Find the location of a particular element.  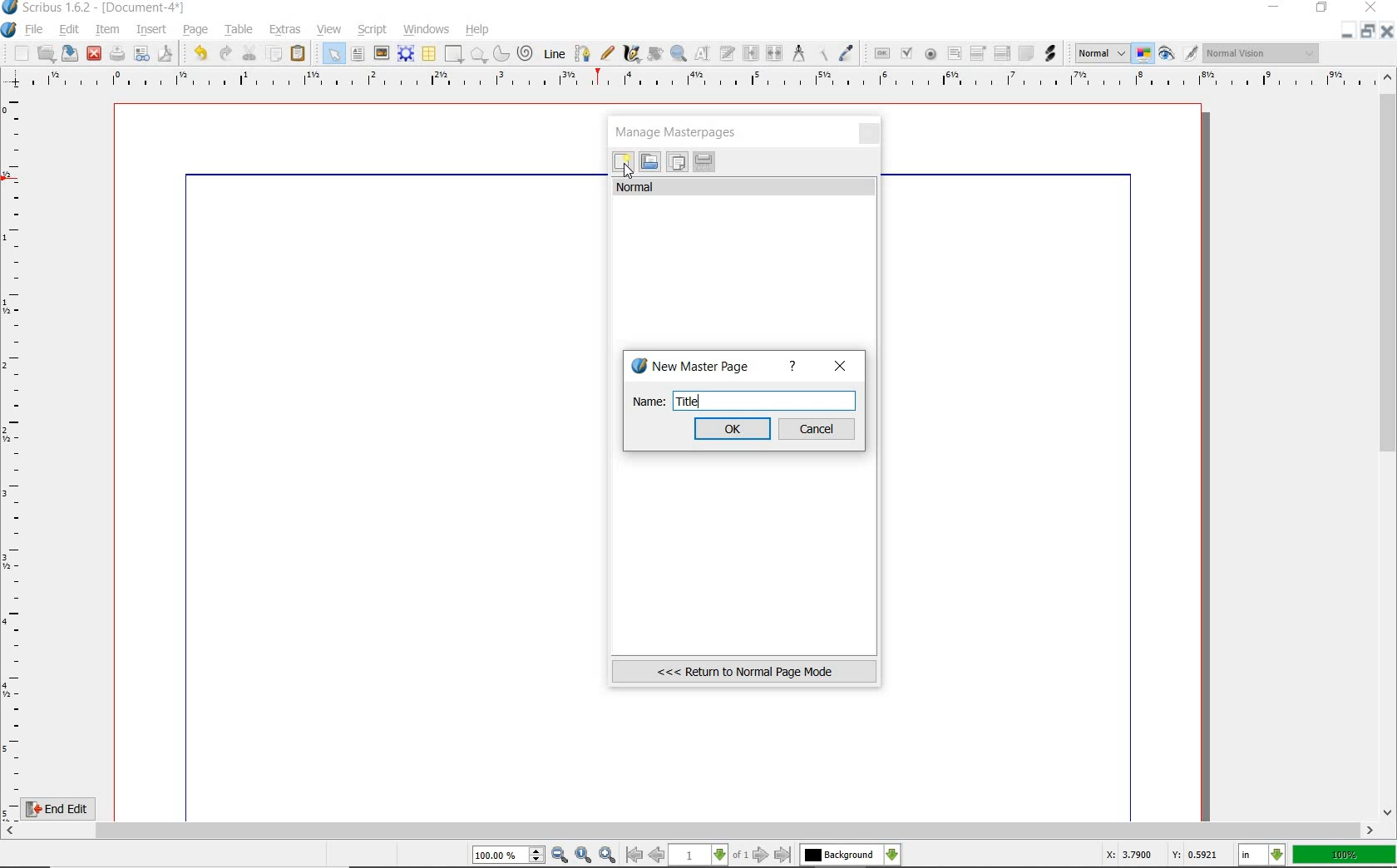

preview mode is located at coordinates (1179, 53).